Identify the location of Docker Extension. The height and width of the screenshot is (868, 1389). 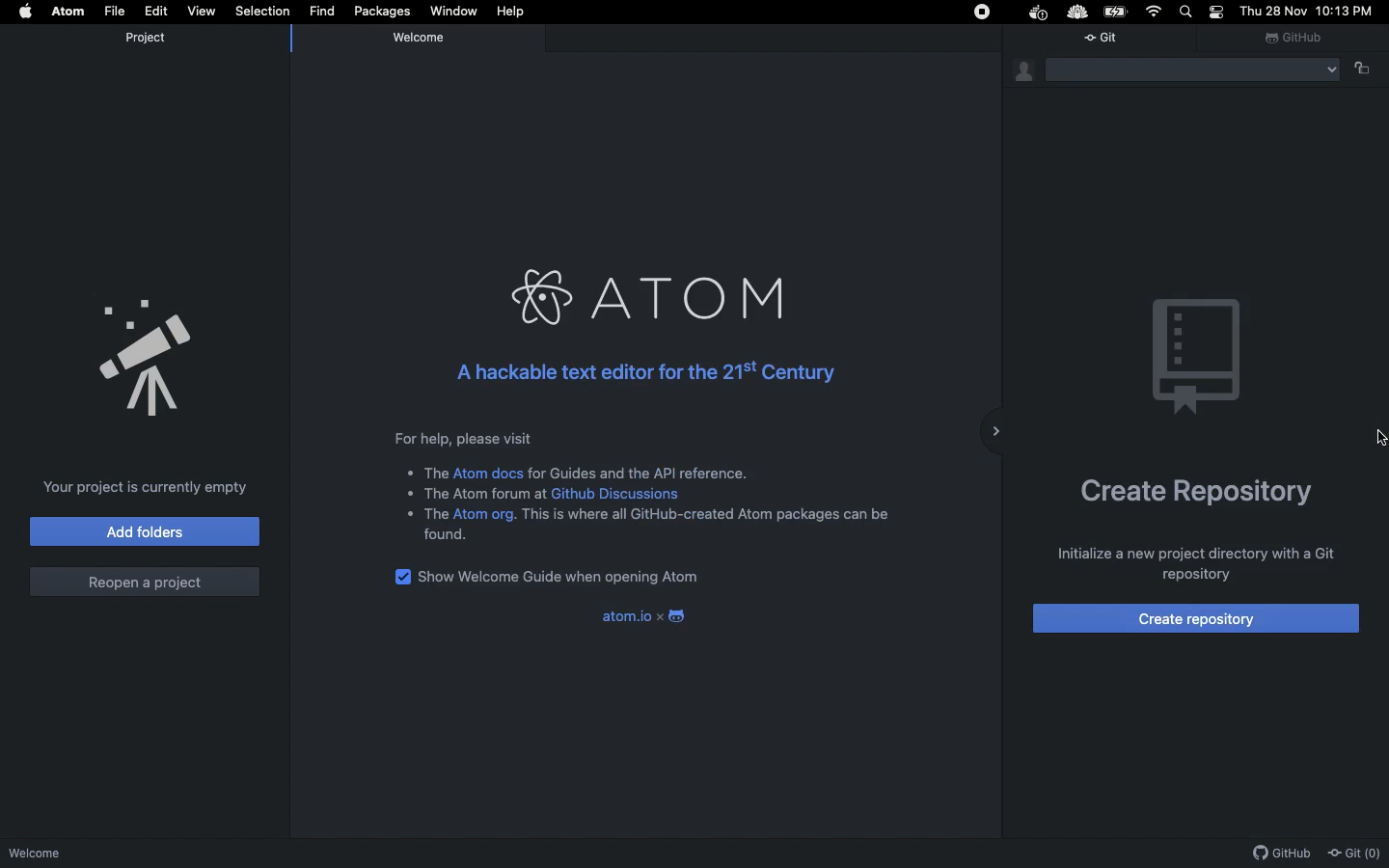
(1040, 14).